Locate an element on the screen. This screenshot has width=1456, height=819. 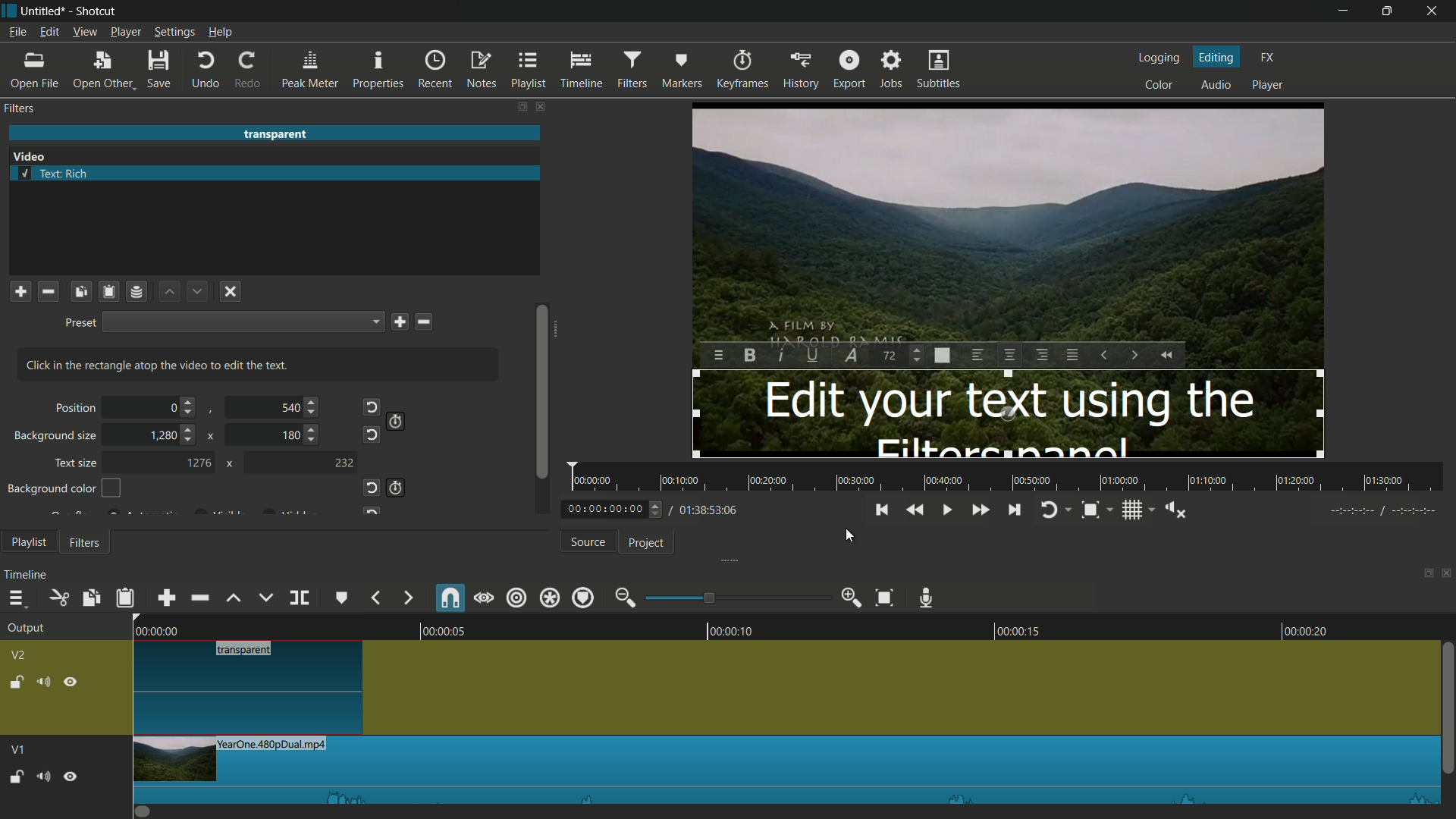
text size is located at coordinates (75, 462).